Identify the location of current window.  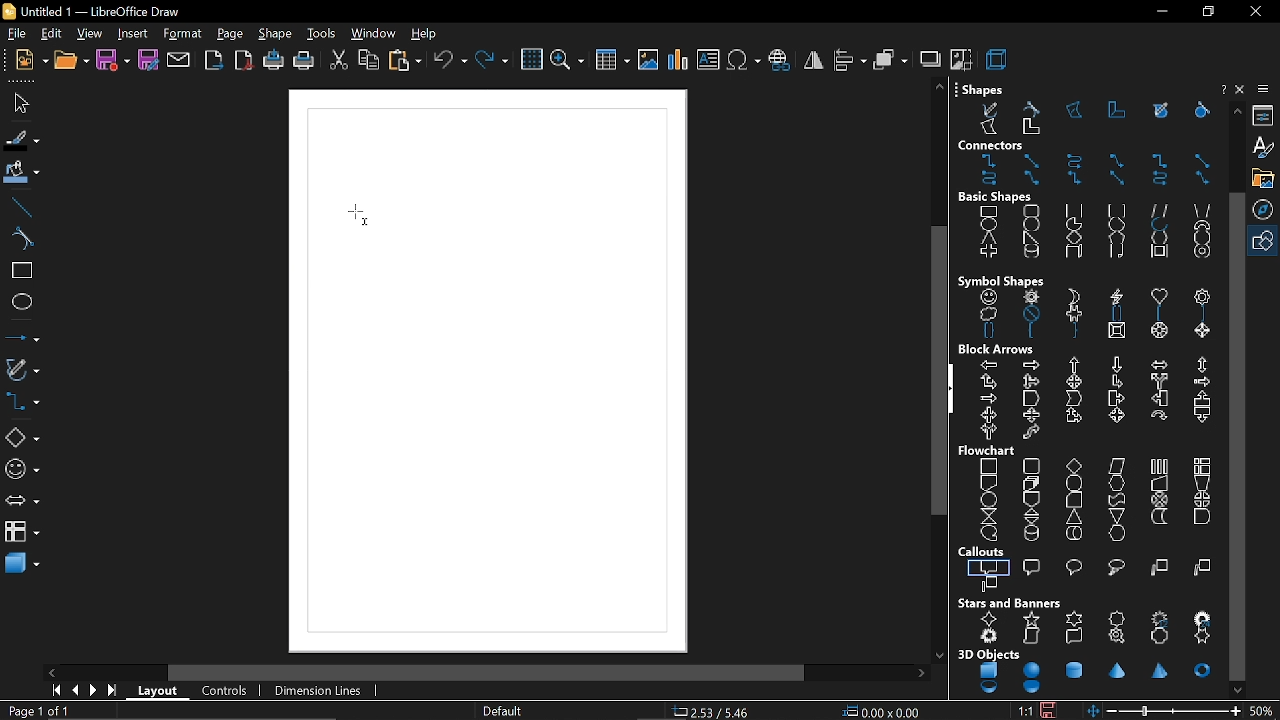
(102, 10).